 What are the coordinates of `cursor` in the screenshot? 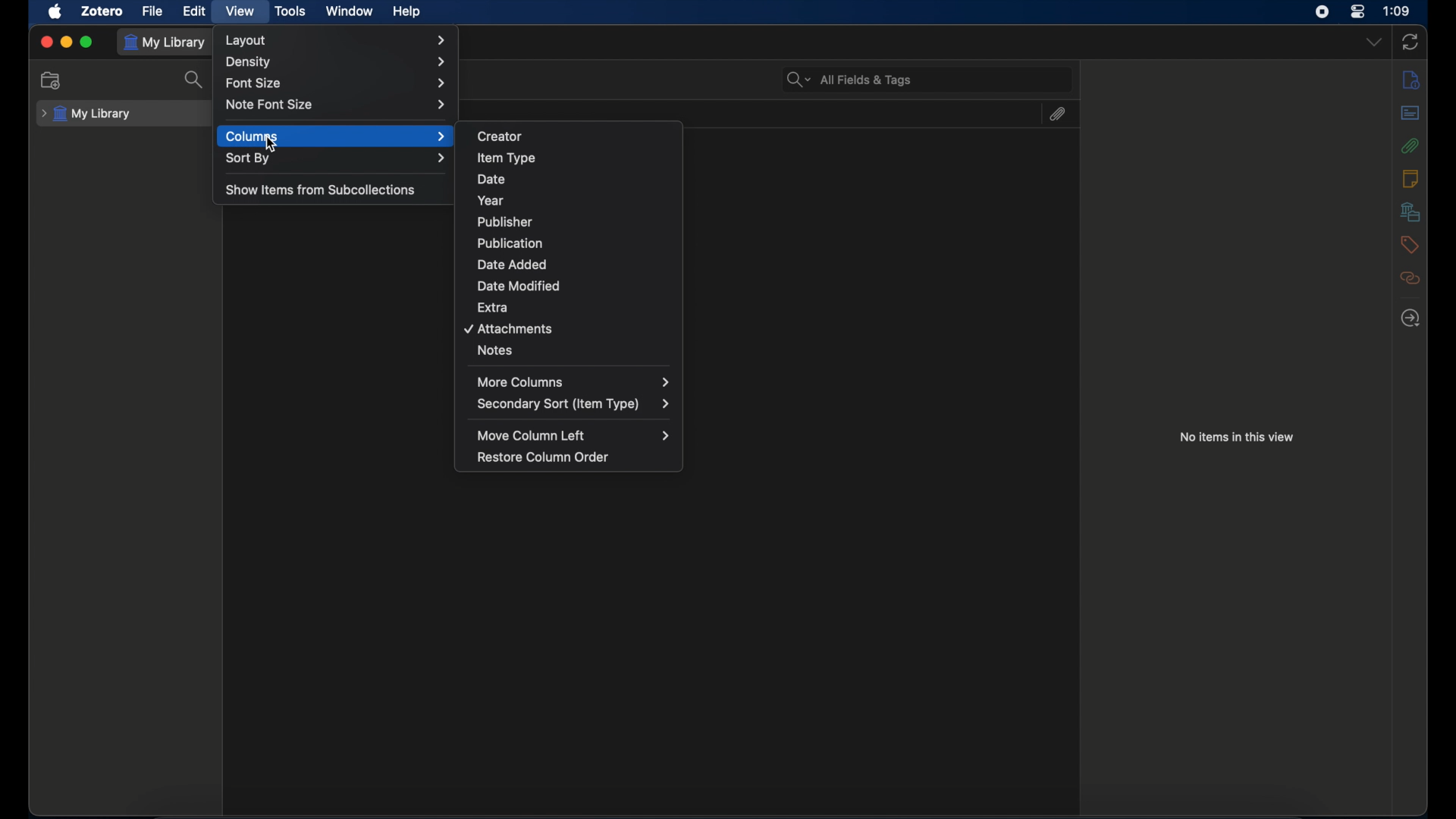 It's located at (270, 144).